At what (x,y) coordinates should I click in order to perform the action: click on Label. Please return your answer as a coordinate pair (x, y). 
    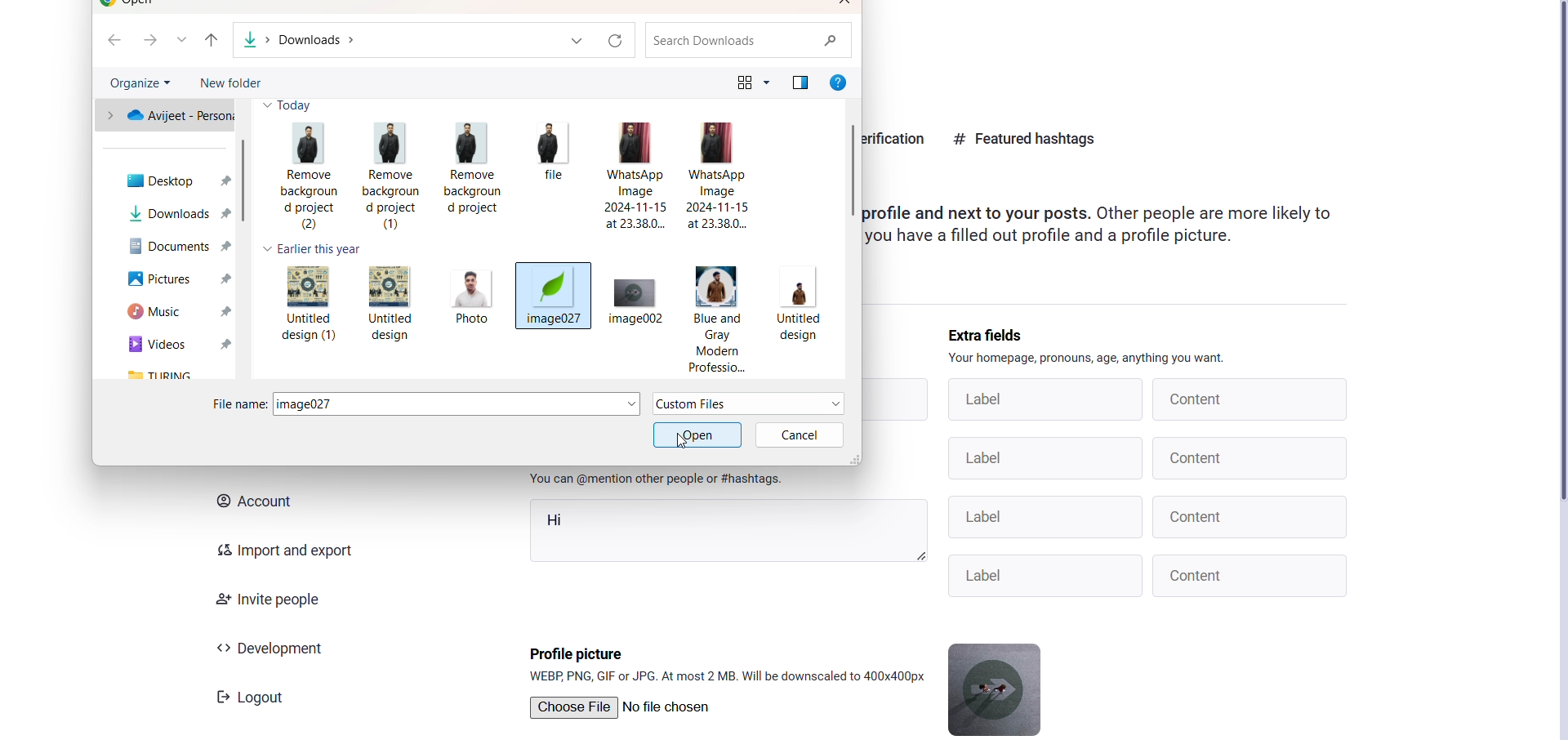
    Looking at the image, I should click on (1049, 574).